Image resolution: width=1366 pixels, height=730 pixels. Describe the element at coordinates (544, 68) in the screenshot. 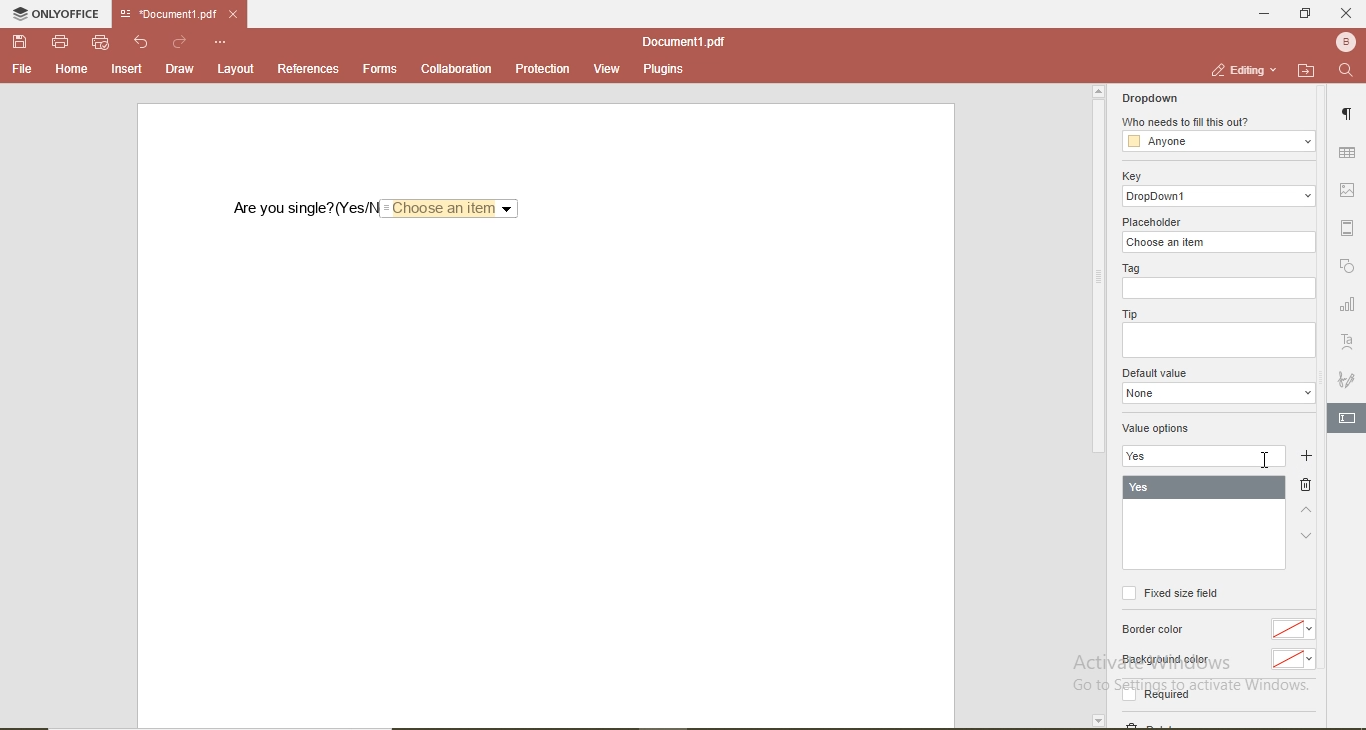

I see `protection` at that location.